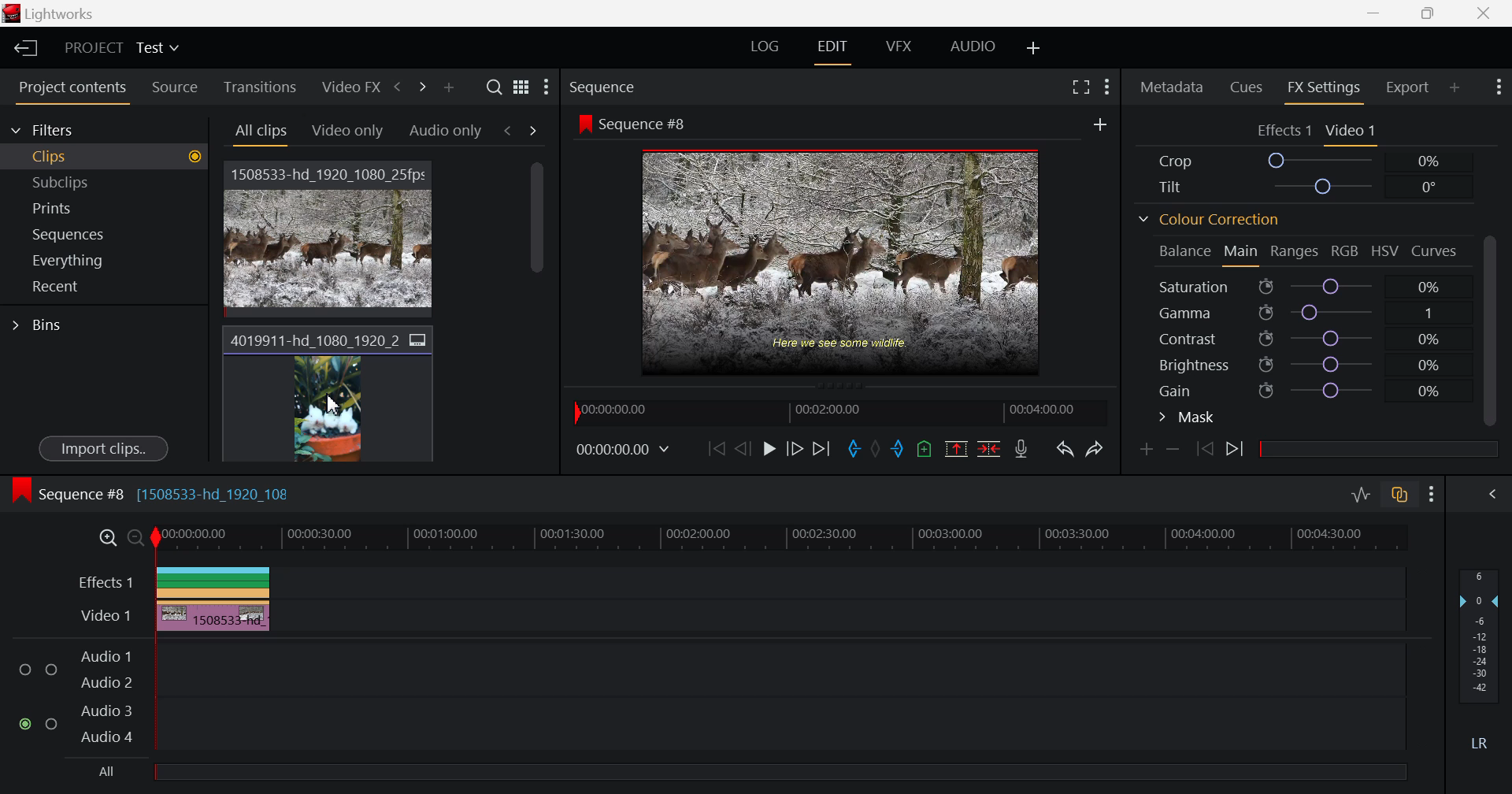 This screenshot has height=794, width=1512. I want to click on Sequence #8 [1508533-hd_1920_108, so click(169, 493).